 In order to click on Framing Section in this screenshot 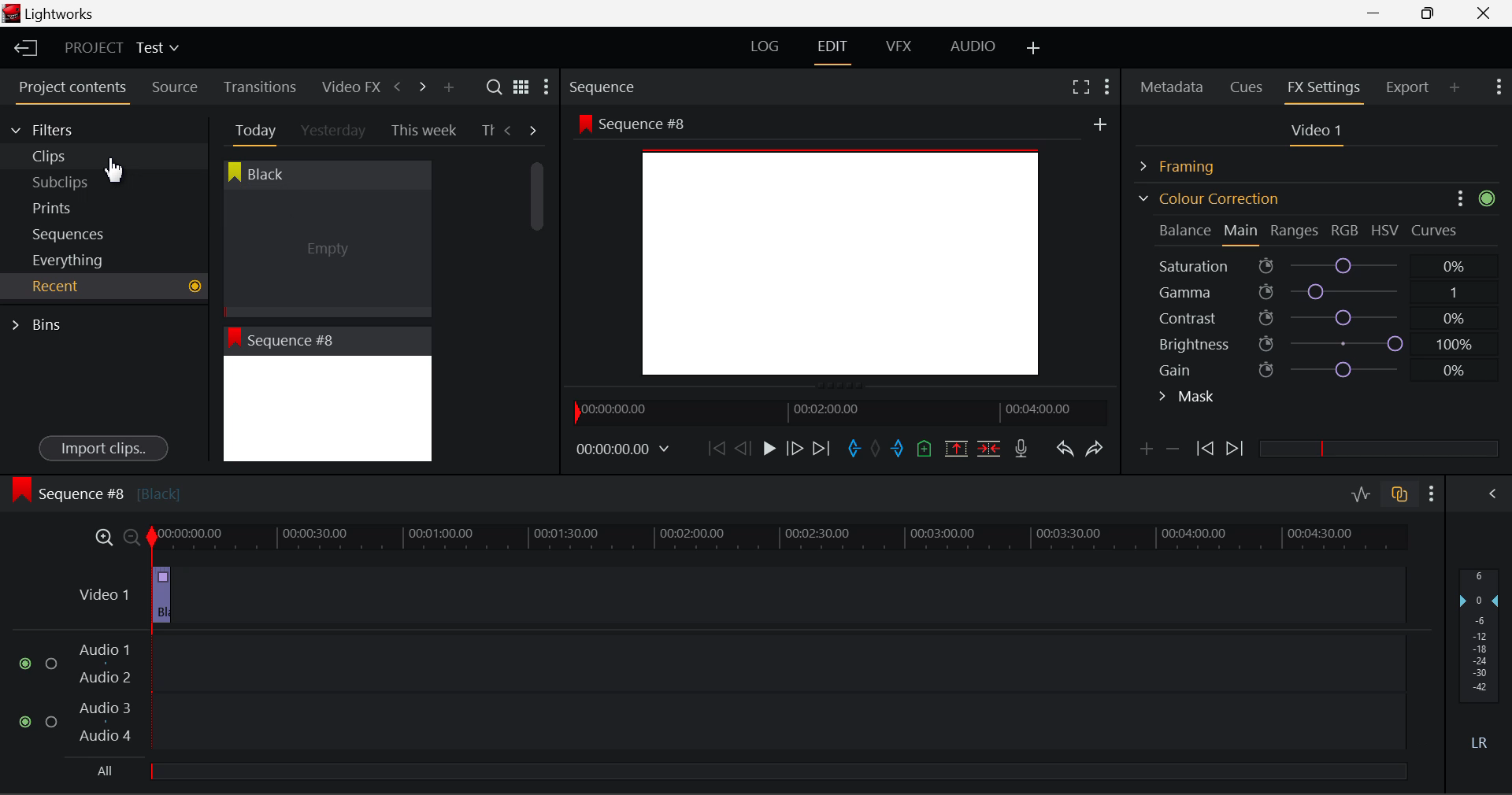, I will do `click(1190, 164)`.